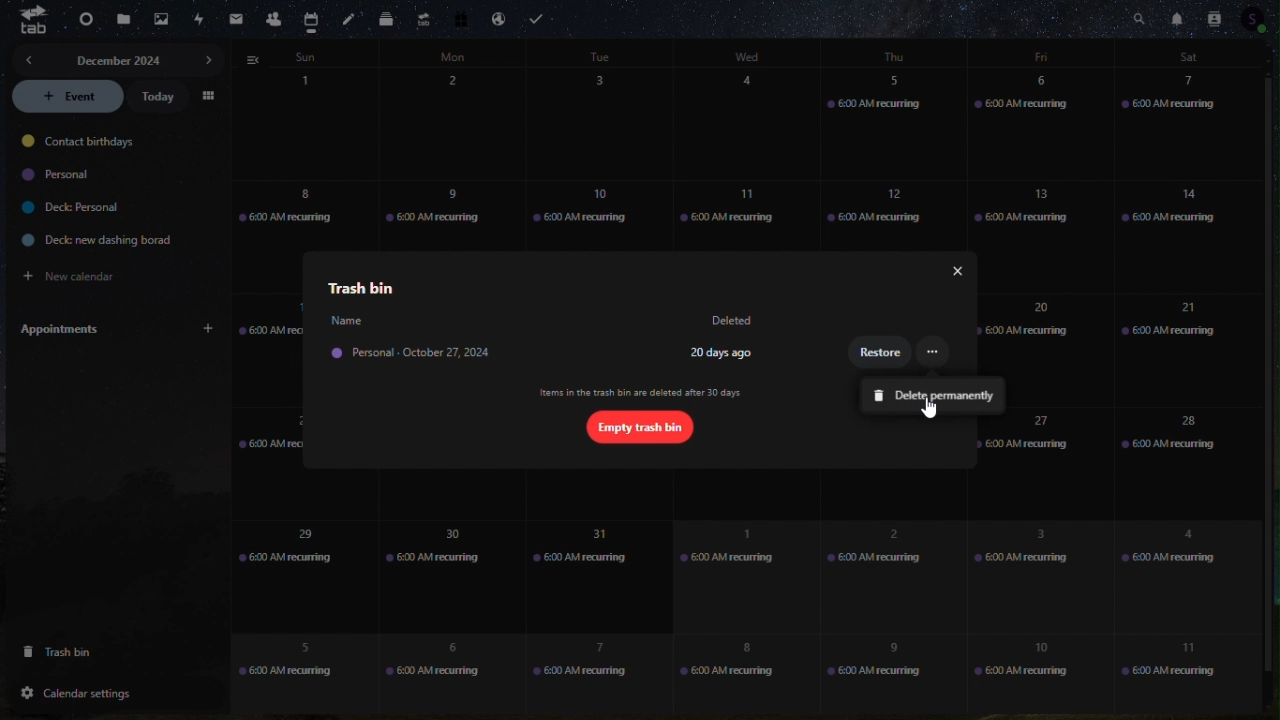  I want to click on John Smith, so click(346, 320).